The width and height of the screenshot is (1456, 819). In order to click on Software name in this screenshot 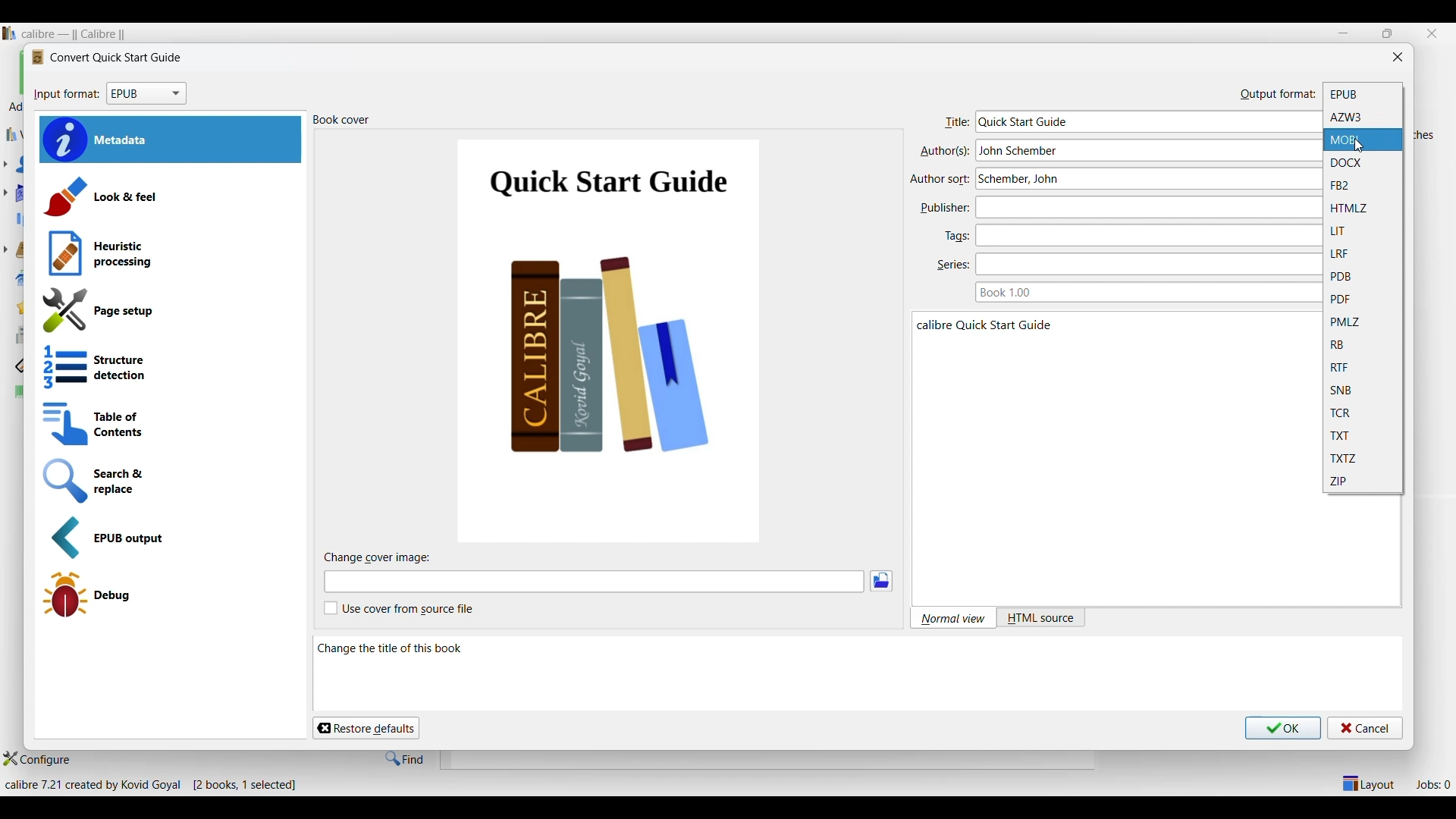, I will do `click(77, 34)`.